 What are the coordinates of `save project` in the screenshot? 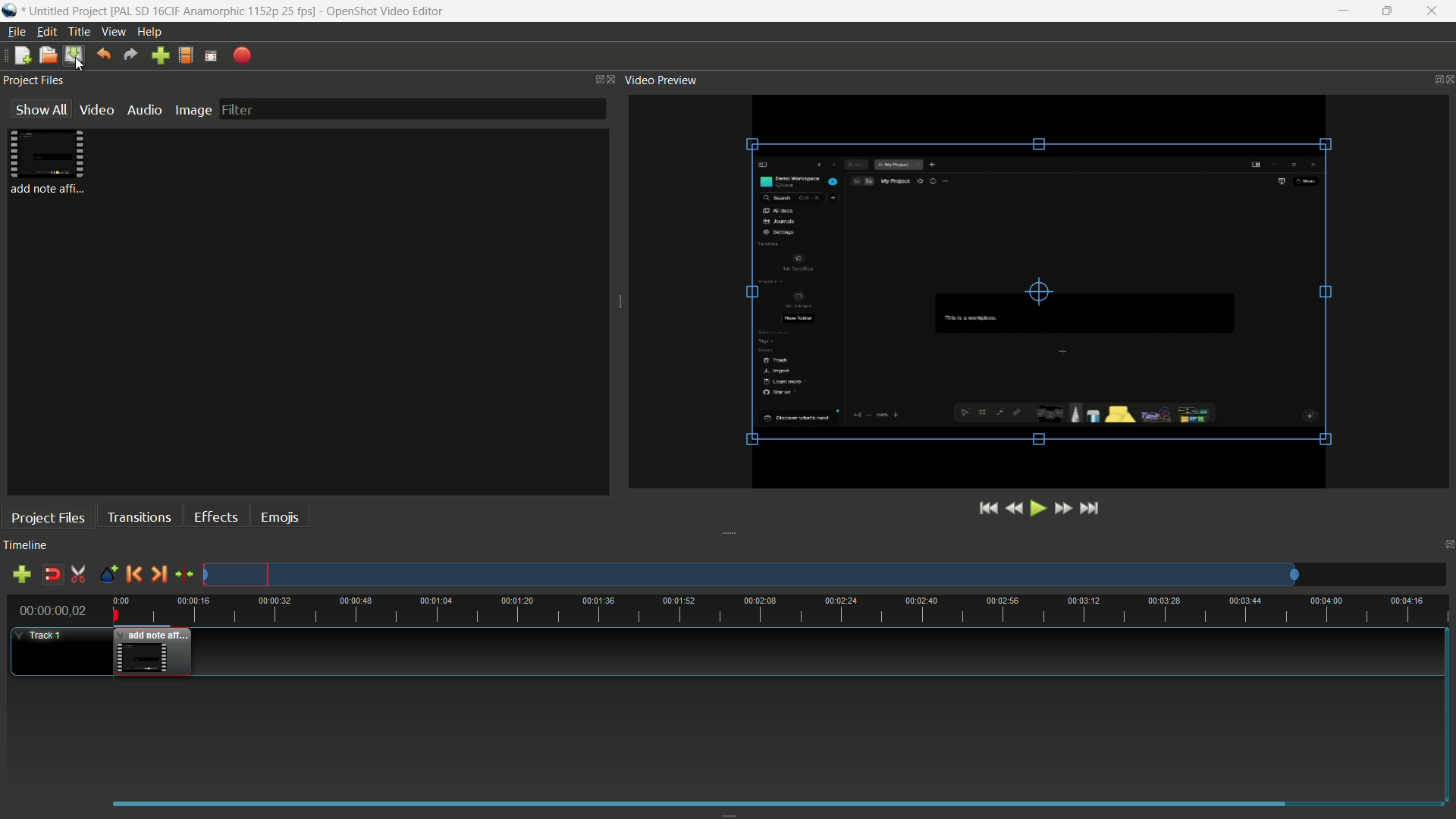 It's located at (73, 55).